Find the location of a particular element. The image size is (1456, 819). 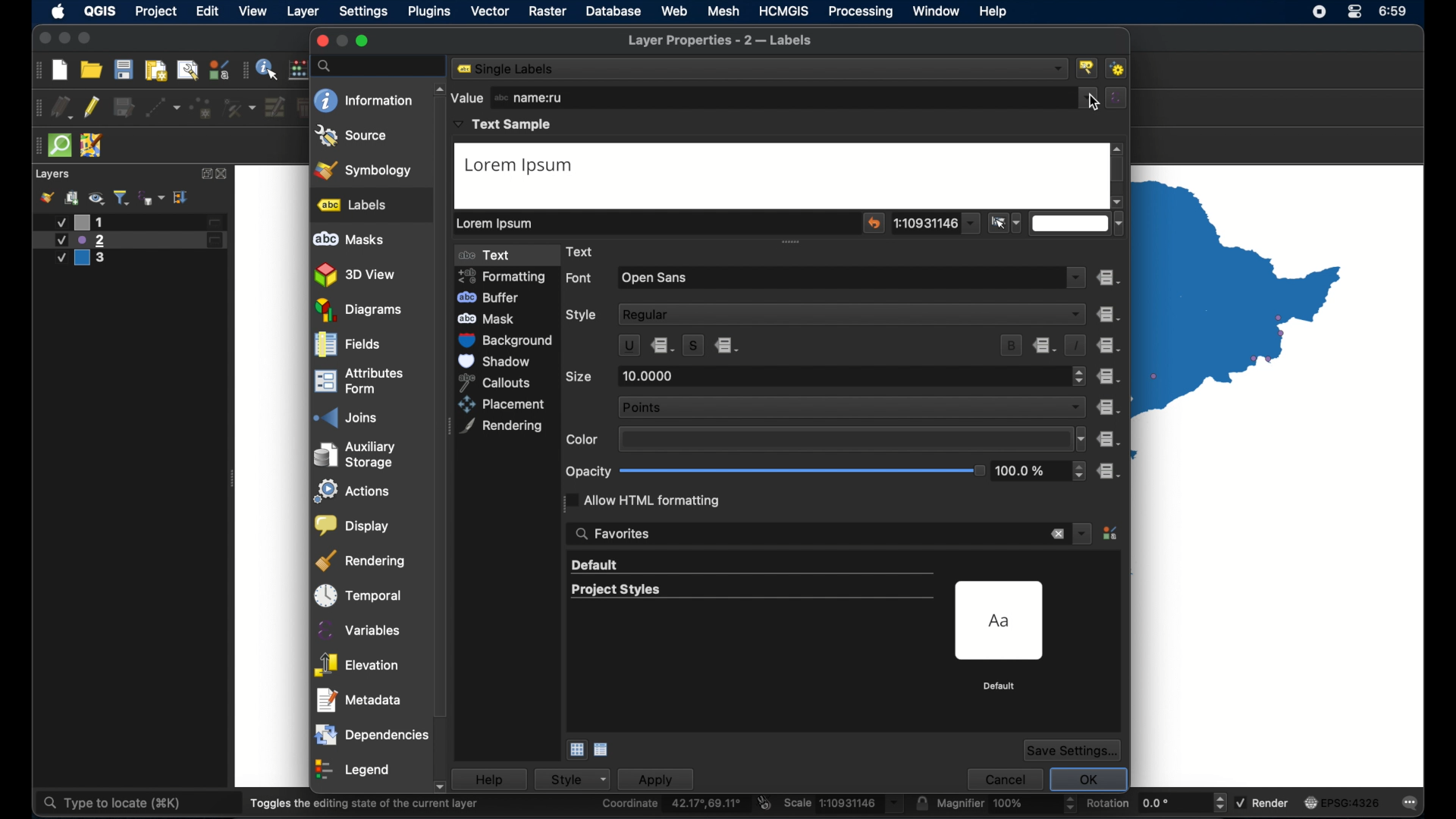

joins is located at coordinates (344, 413).